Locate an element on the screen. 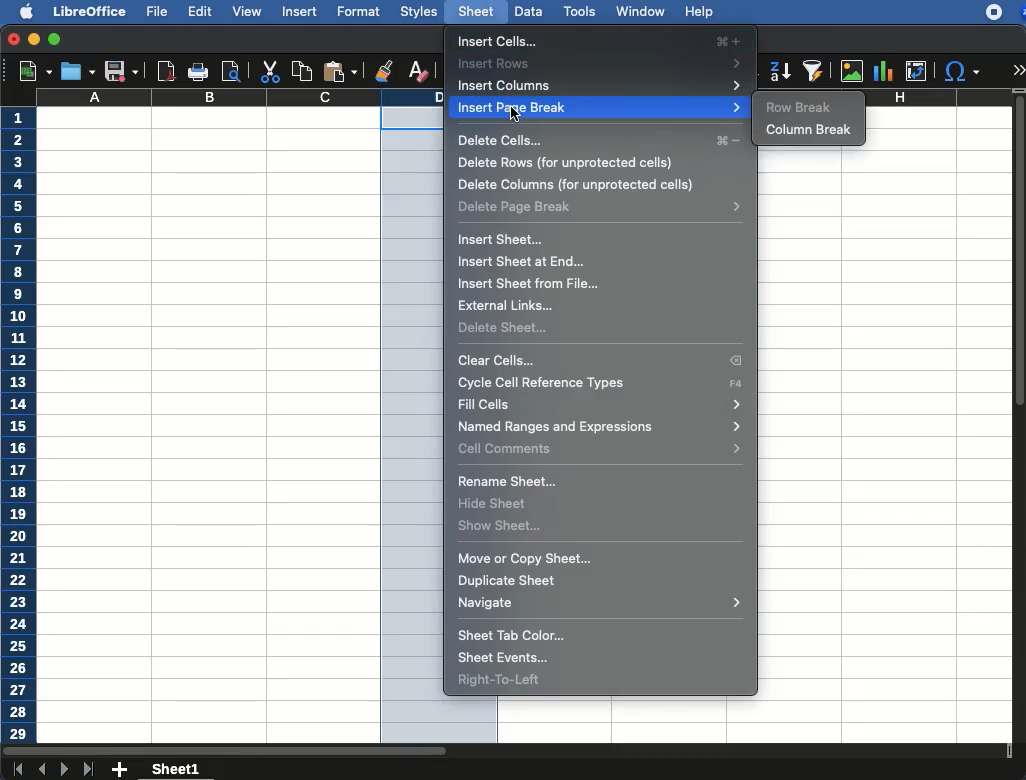 This screenshot has height=780, width=1026. insert columns  is located at coordinates (601, 86).